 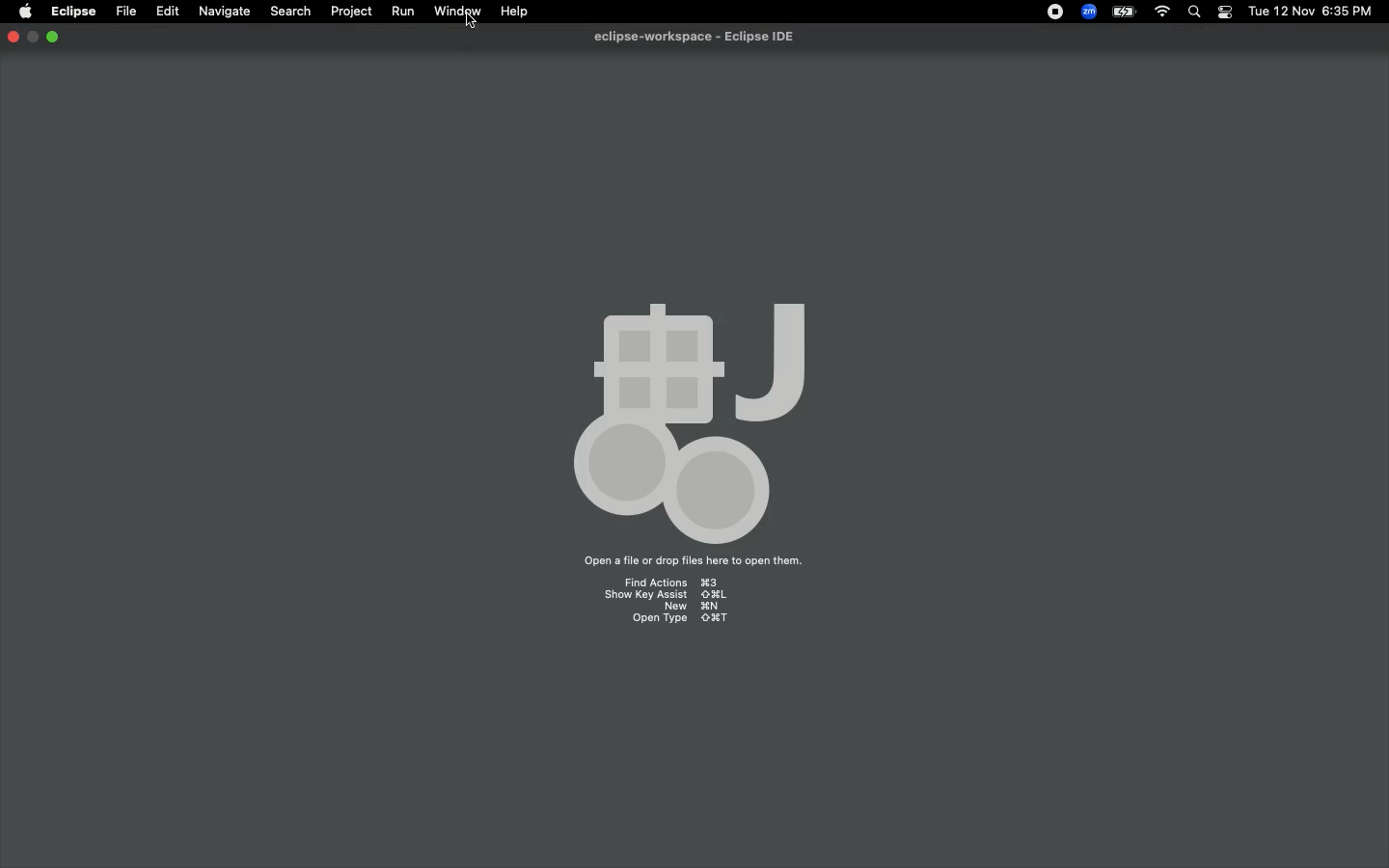 I want to click on Notification, so click(x=1224, y=13).